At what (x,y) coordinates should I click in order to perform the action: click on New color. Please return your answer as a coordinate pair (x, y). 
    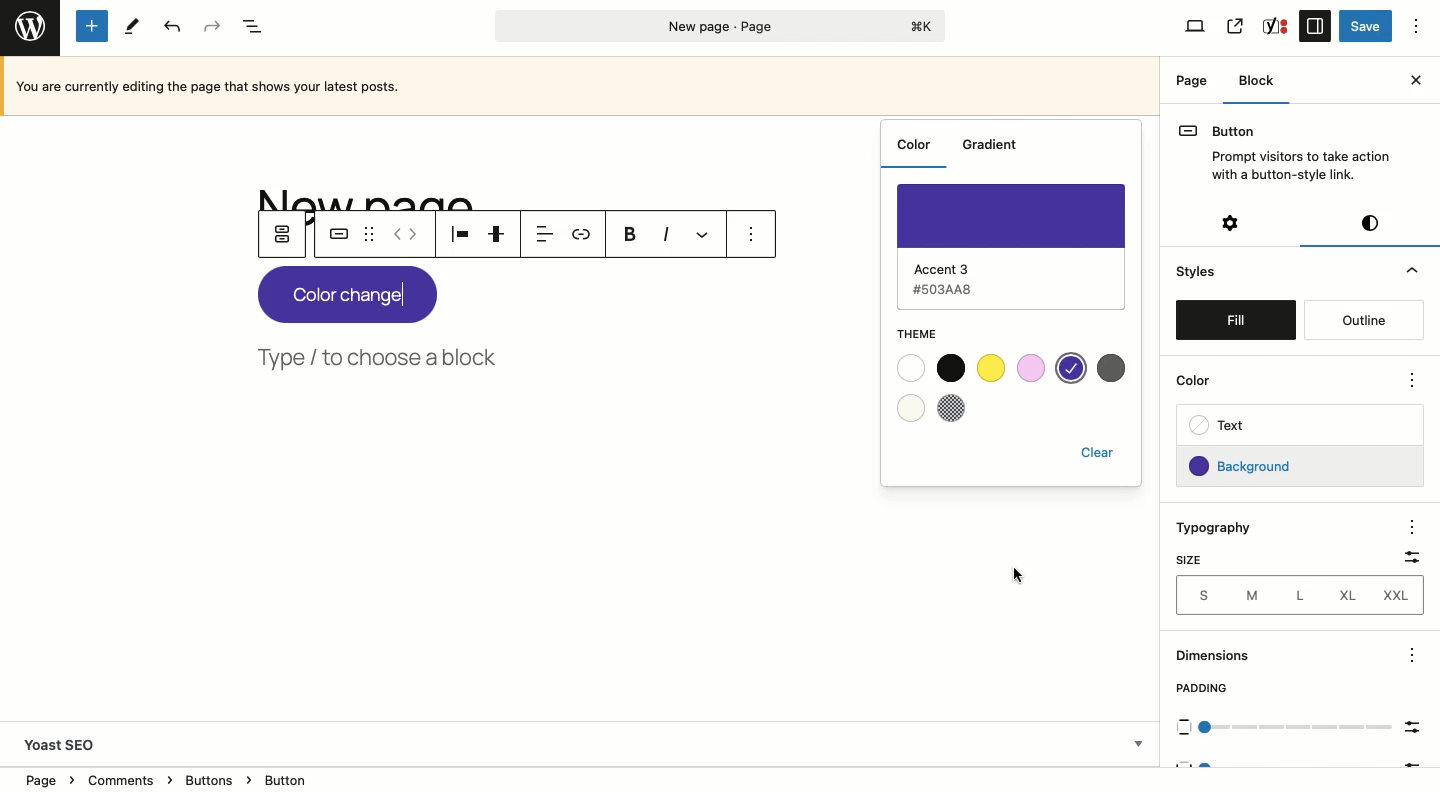
    Looking at the image, I should click on (351, 294).